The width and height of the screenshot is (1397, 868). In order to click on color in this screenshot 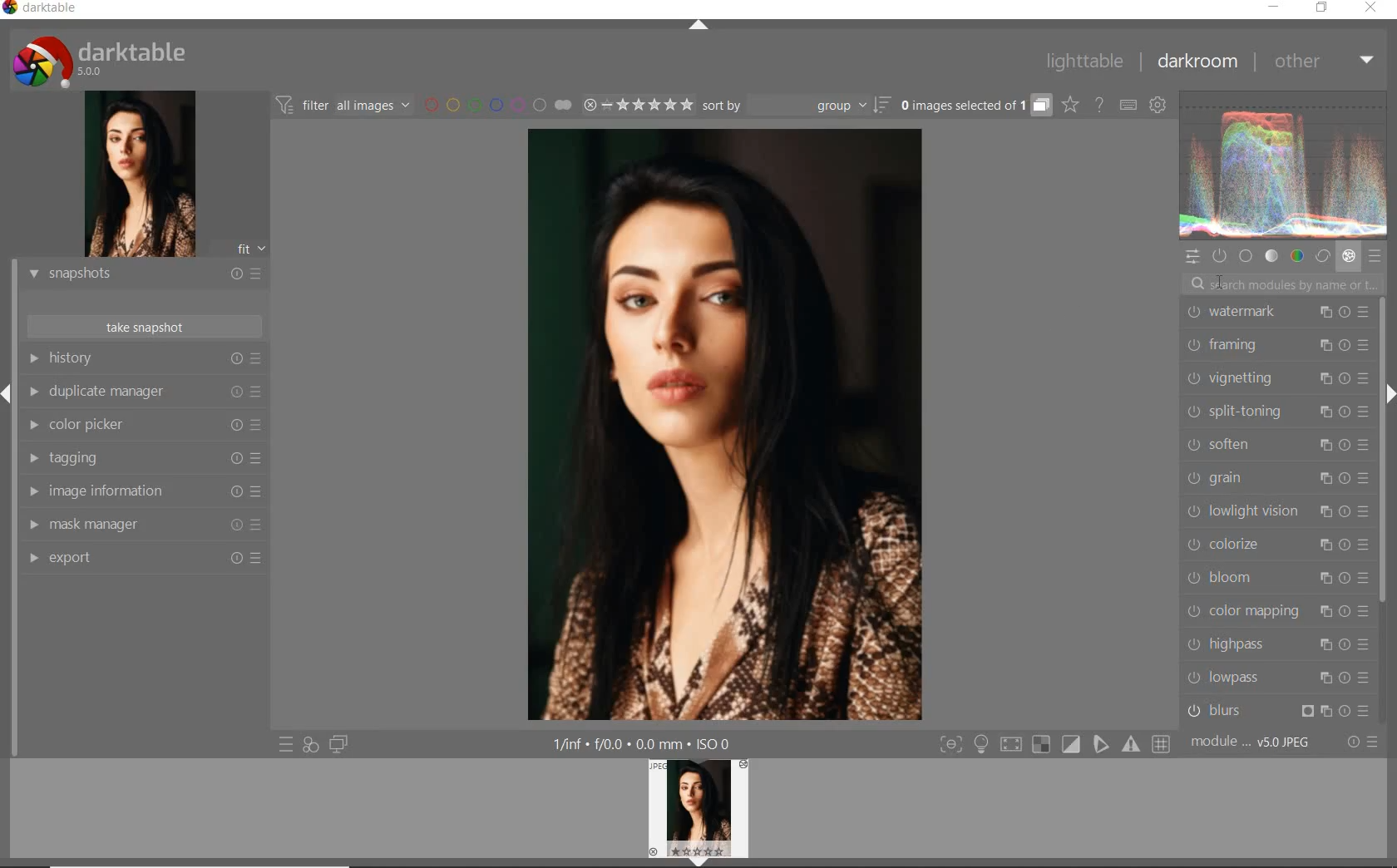, I will do `click(1298, 257)`.